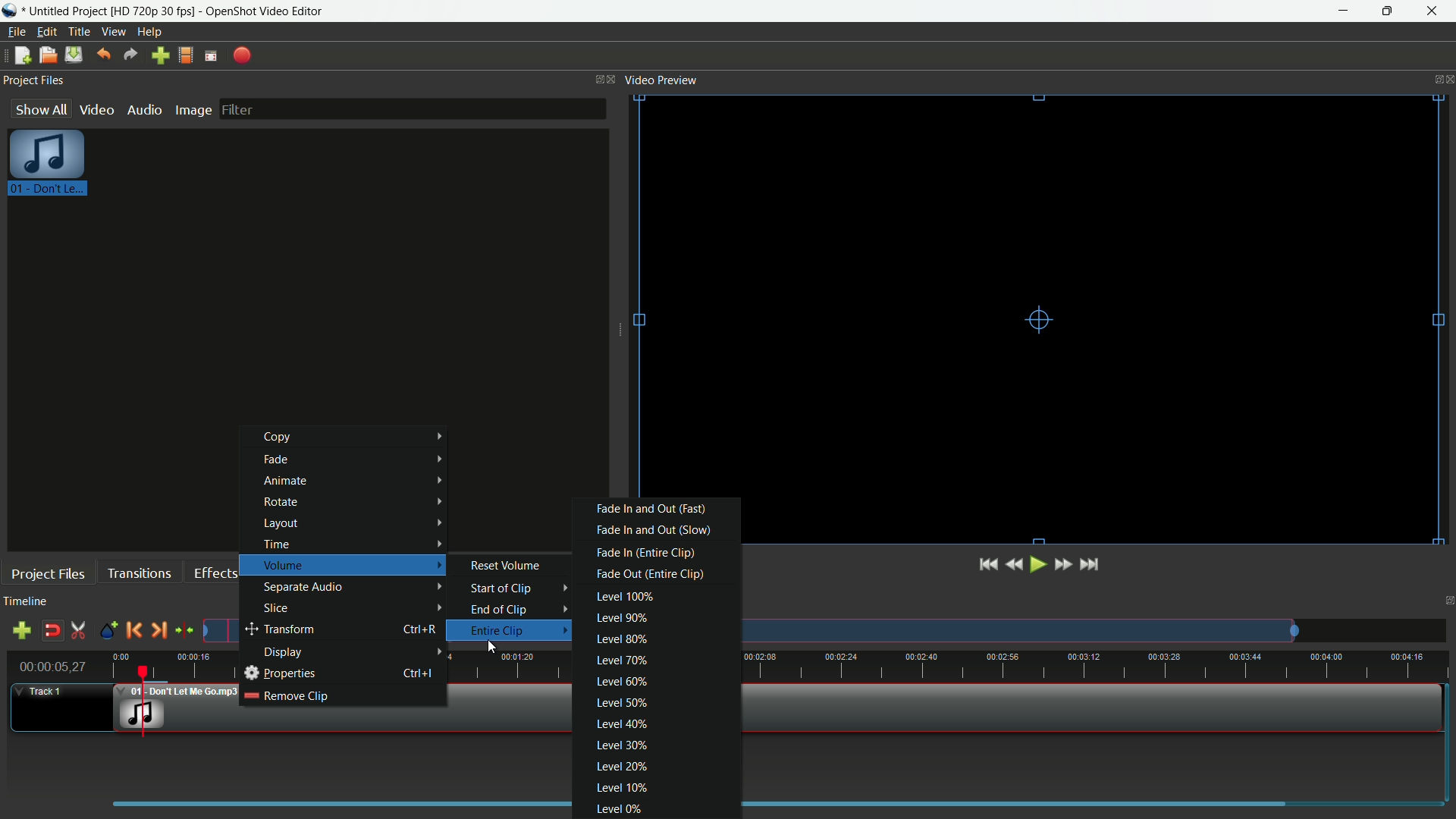 The width and height of the screenshot is (1456, 819). Describe the element at coordinates (52, 631) in the screenshot. I see `disable snap` at that location.